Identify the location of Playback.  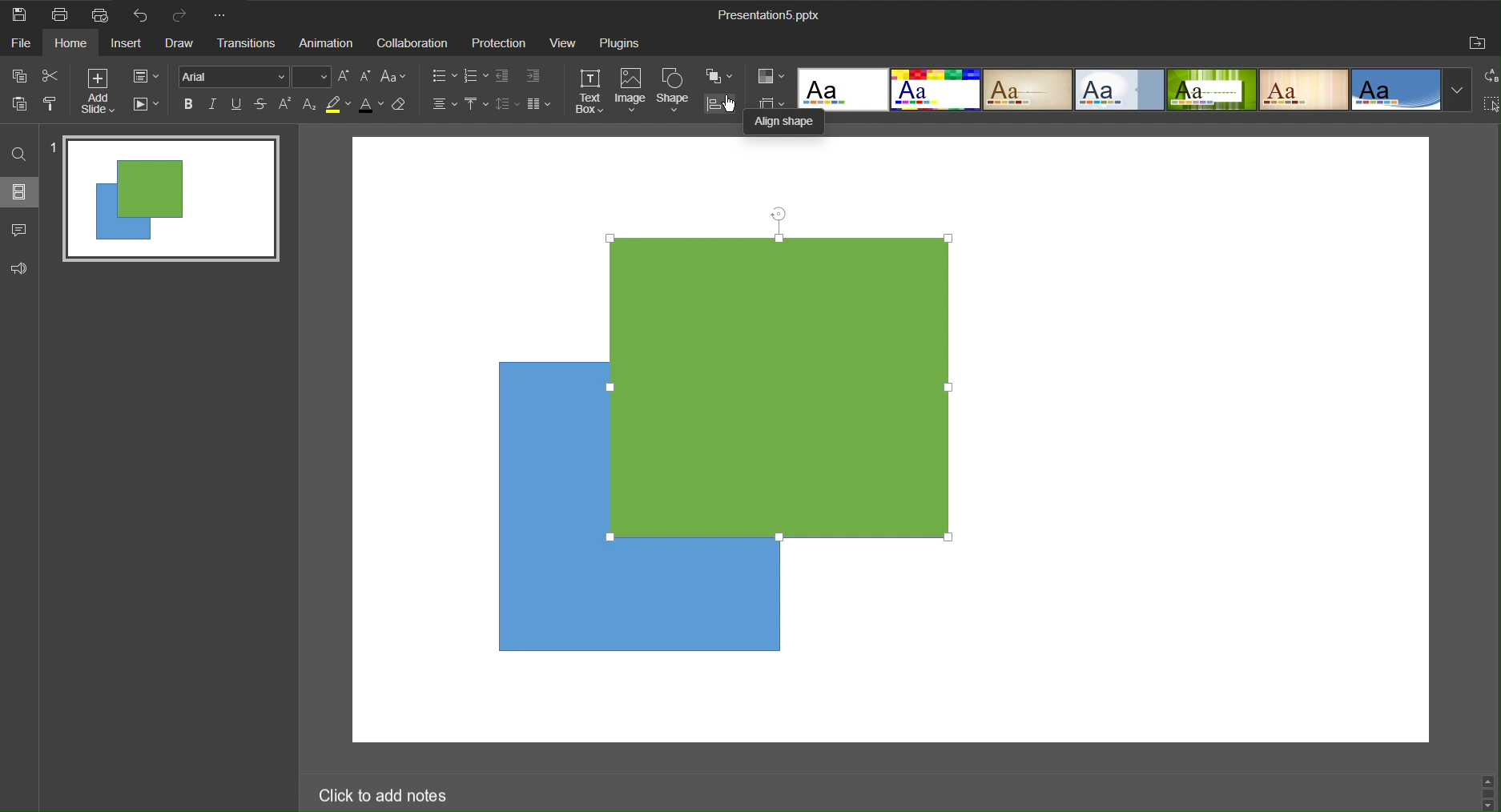
(147, 106).